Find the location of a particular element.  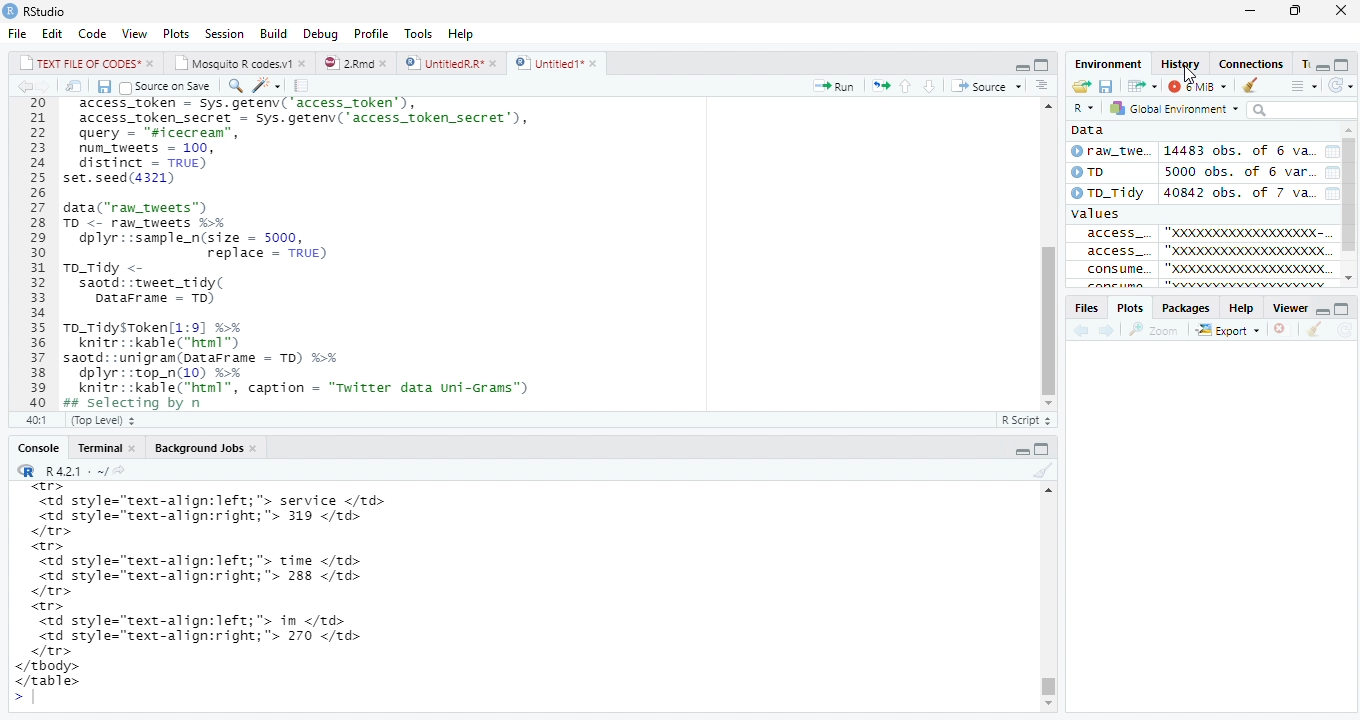

D | UntitledR.R* is located at coordinates (448, 63).